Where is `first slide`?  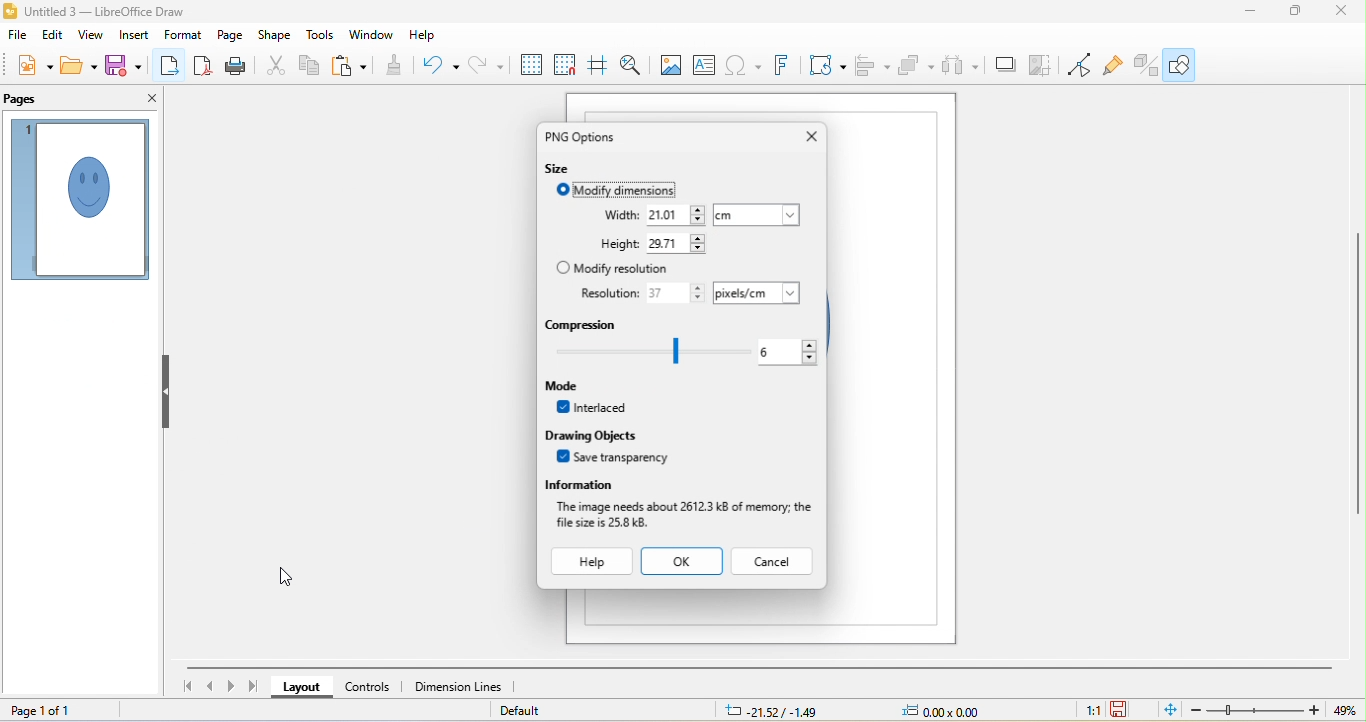 first slide is located at coordinates (191, 686).